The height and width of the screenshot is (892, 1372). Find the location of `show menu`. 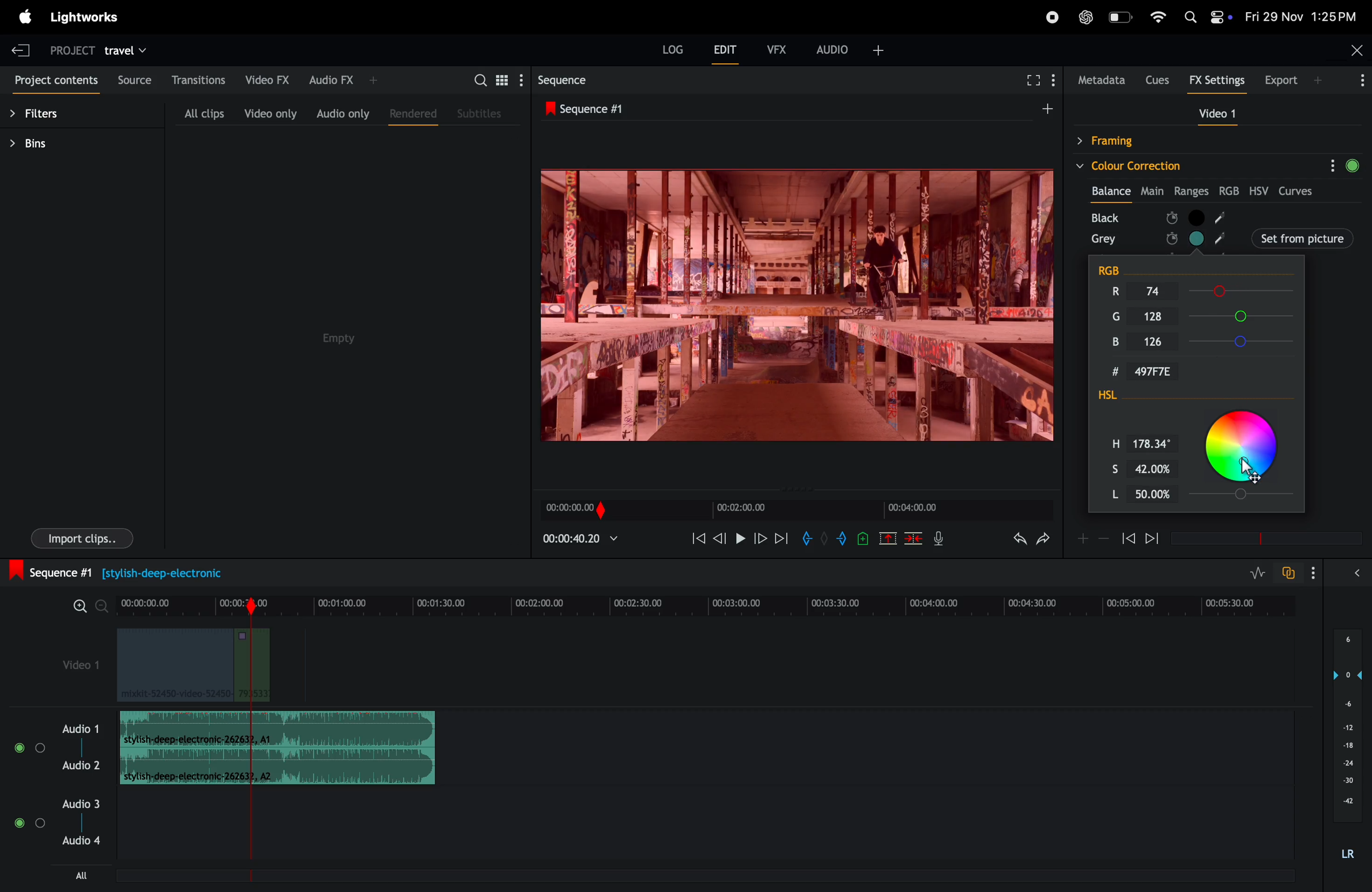

show menu is located at coordinates (1053, 78).